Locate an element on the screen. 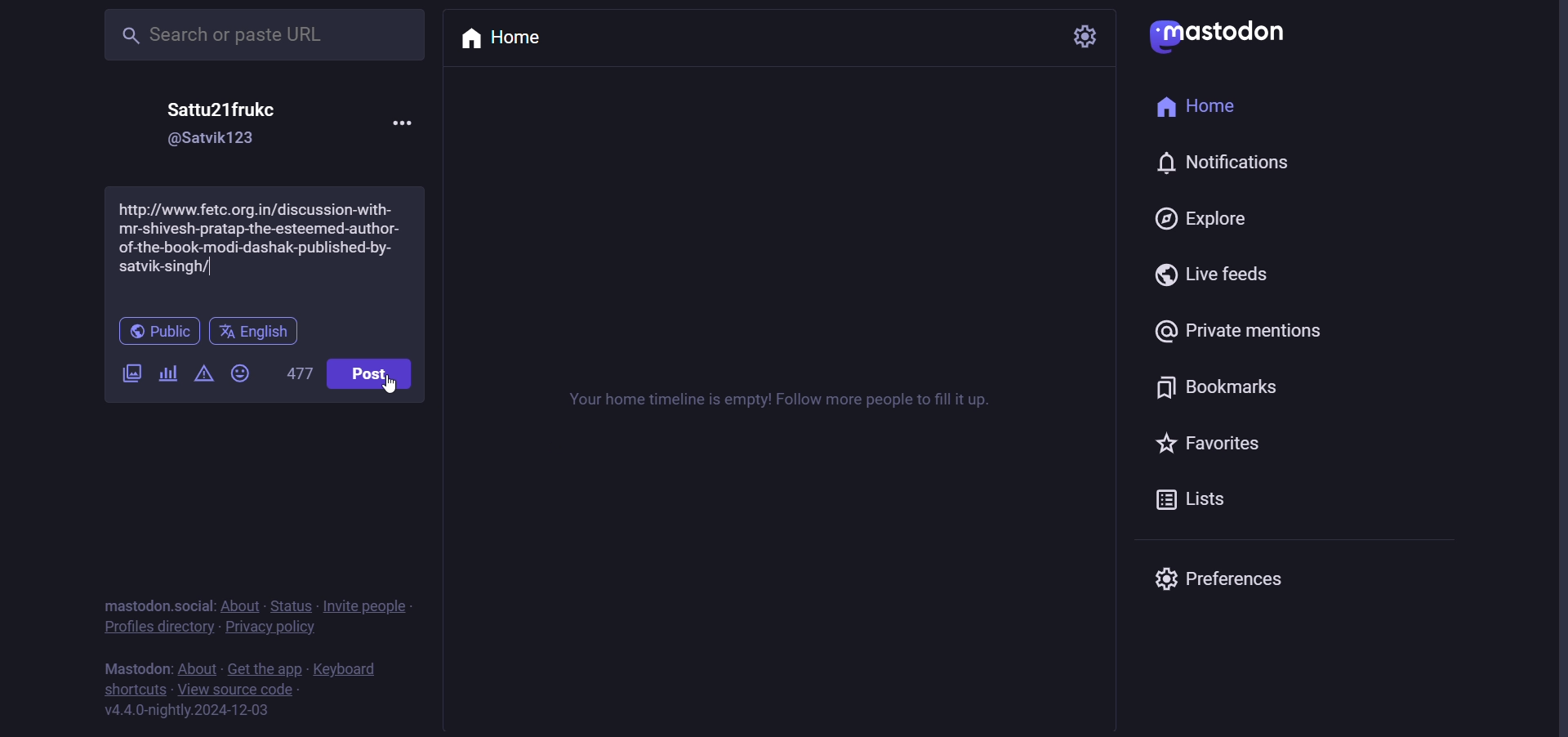 Image resolution: width=1568 pixels, height=737 pixels. home is located at coordinates (507, 39).